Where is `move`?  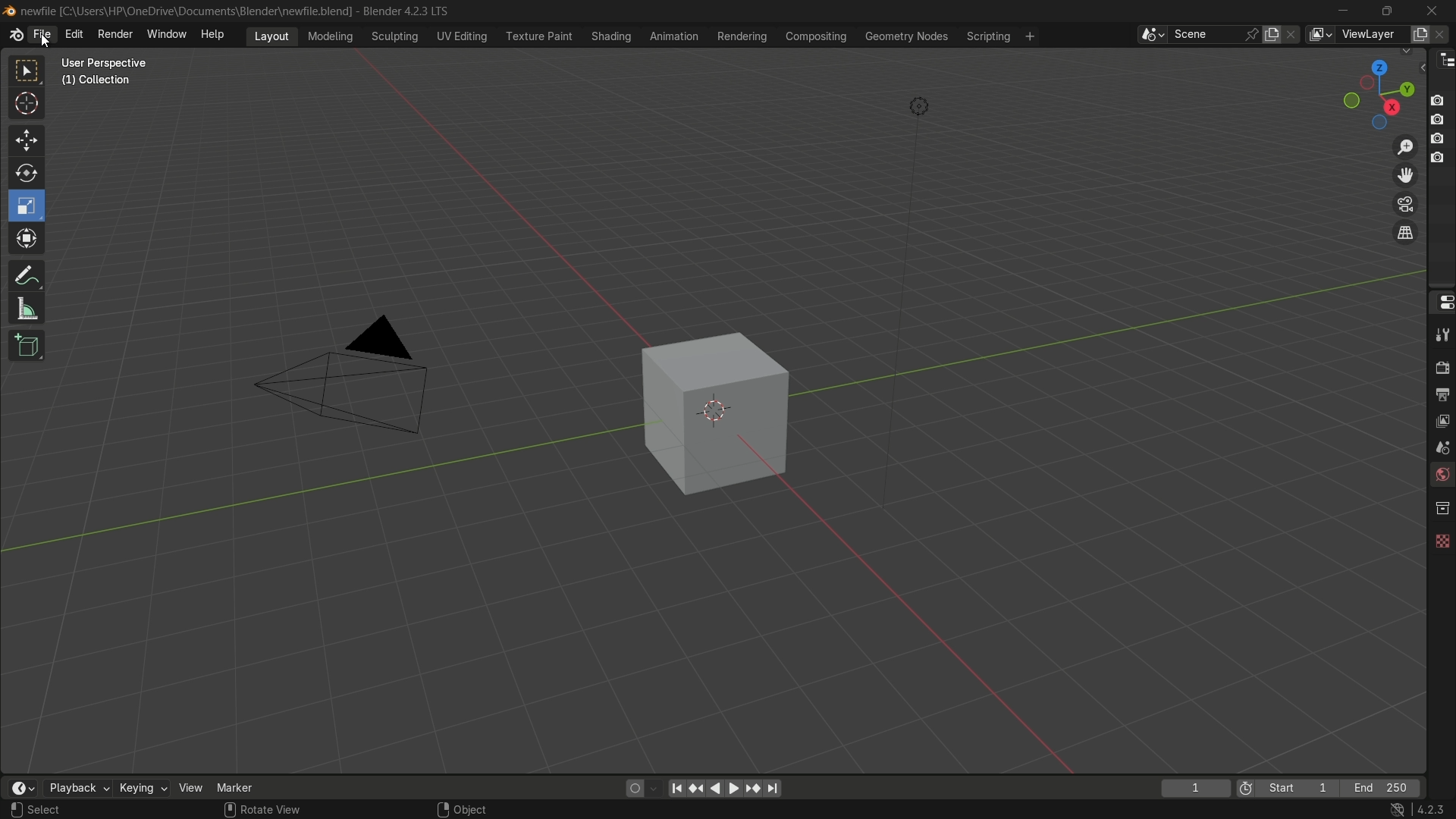 move is located at coordinates (25, 139).